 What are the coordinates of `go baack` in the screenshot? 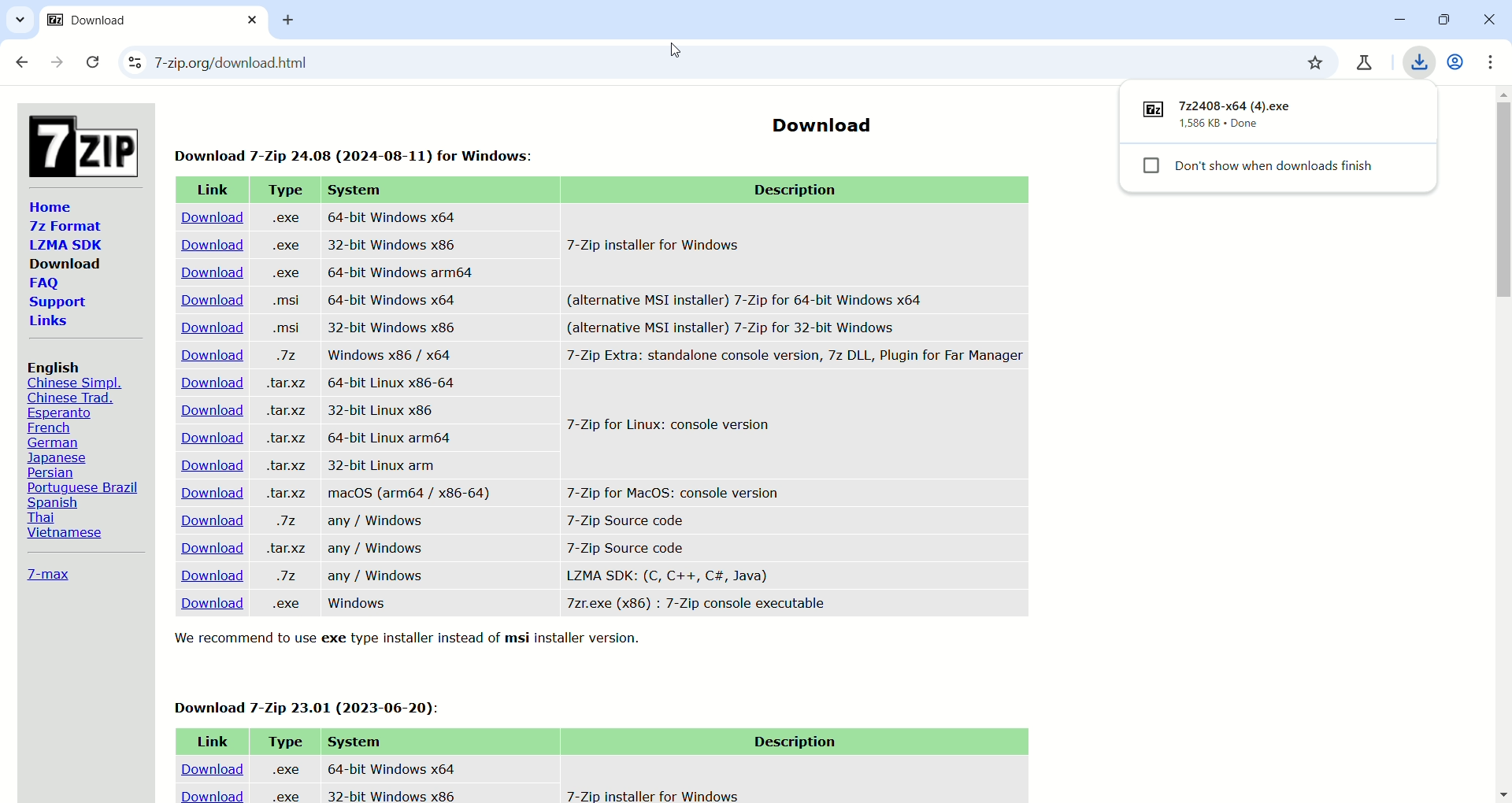 It's located at (23, 63).